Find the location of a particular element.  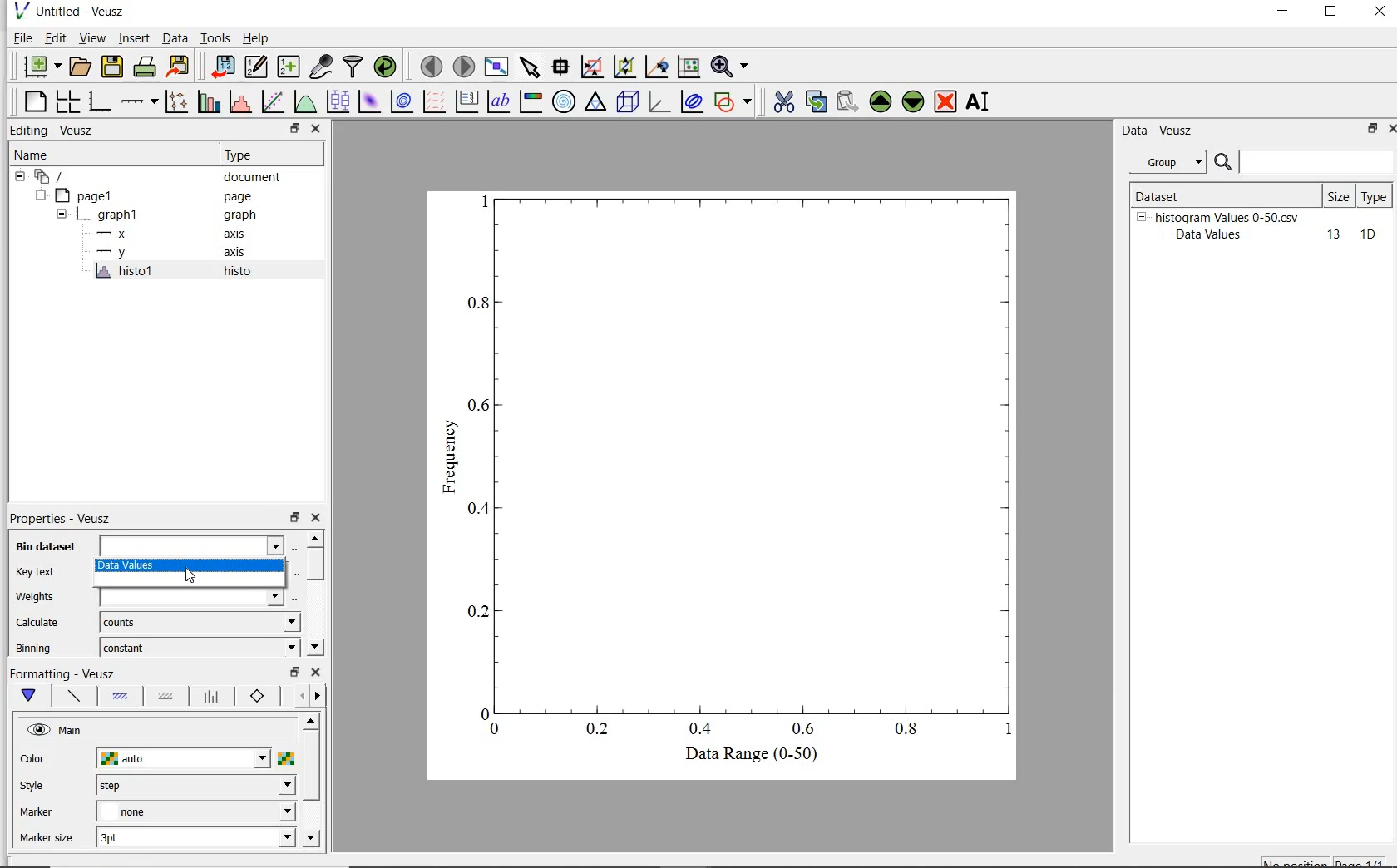

select items from the graph scroll is located at coordinates (531, 65).